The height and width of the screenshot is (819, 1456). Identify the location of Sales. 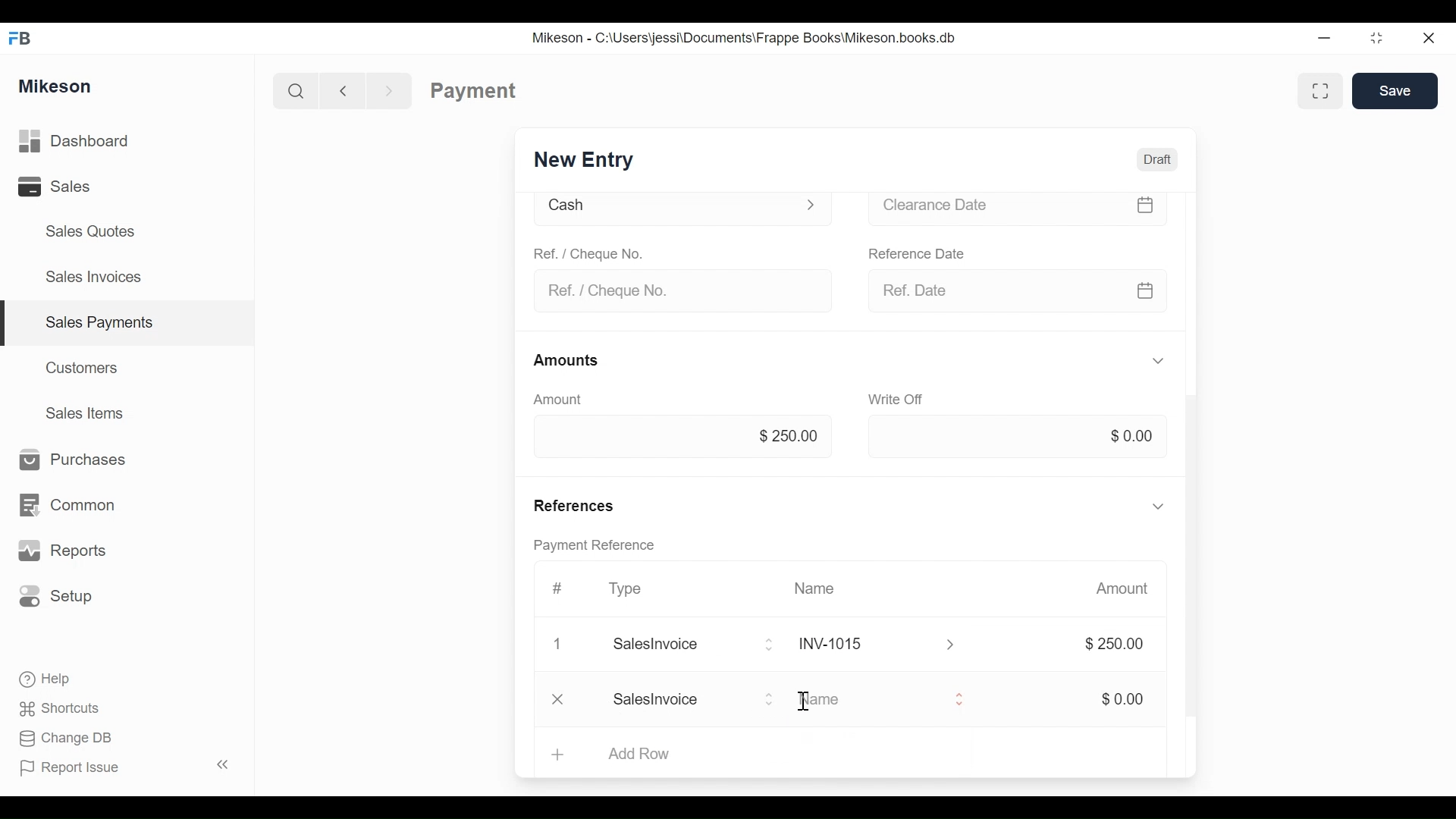
(53, 188).